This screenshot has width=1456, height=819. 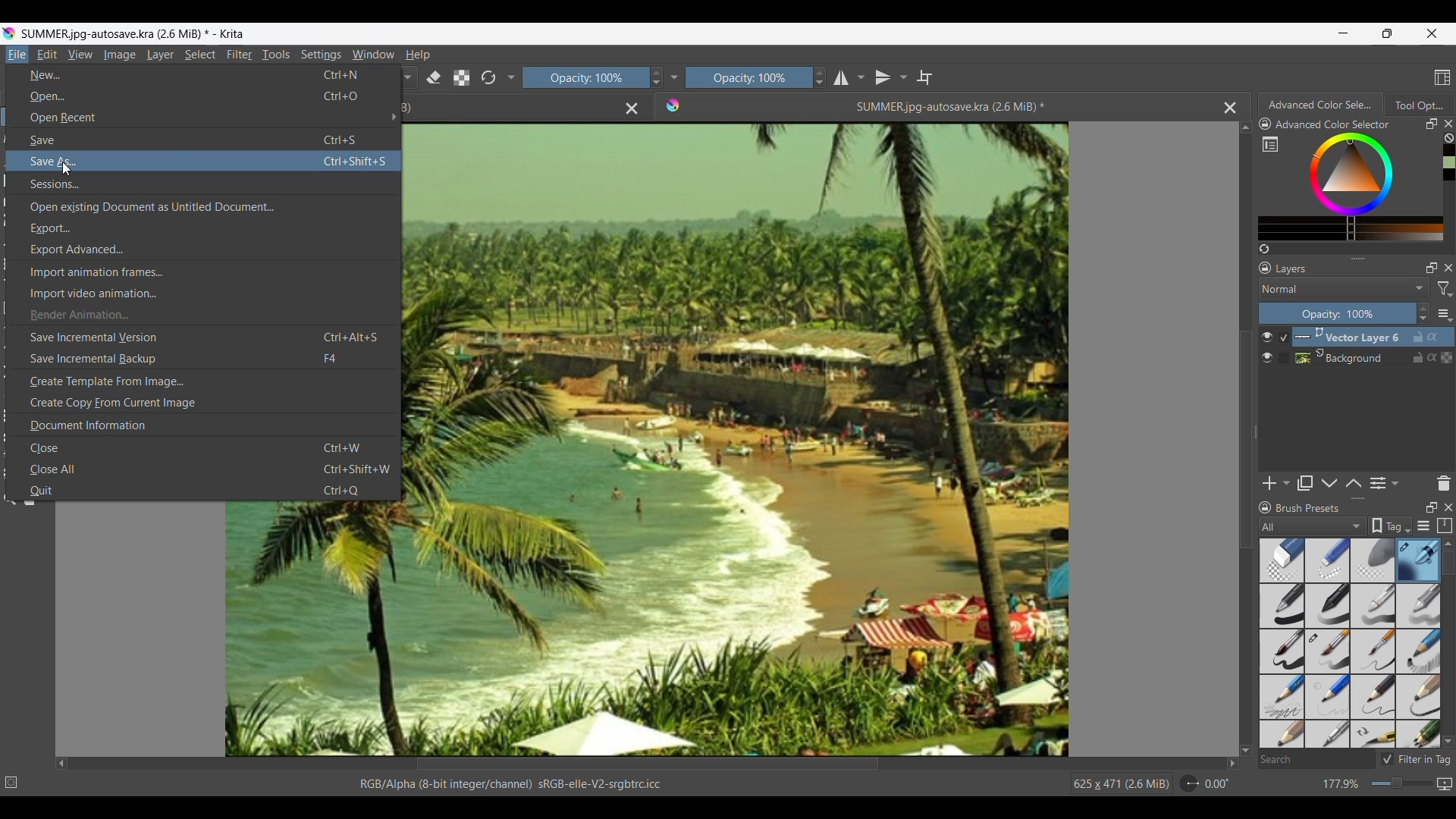 I want to click on Minimize, so click(x=1344, y=33).